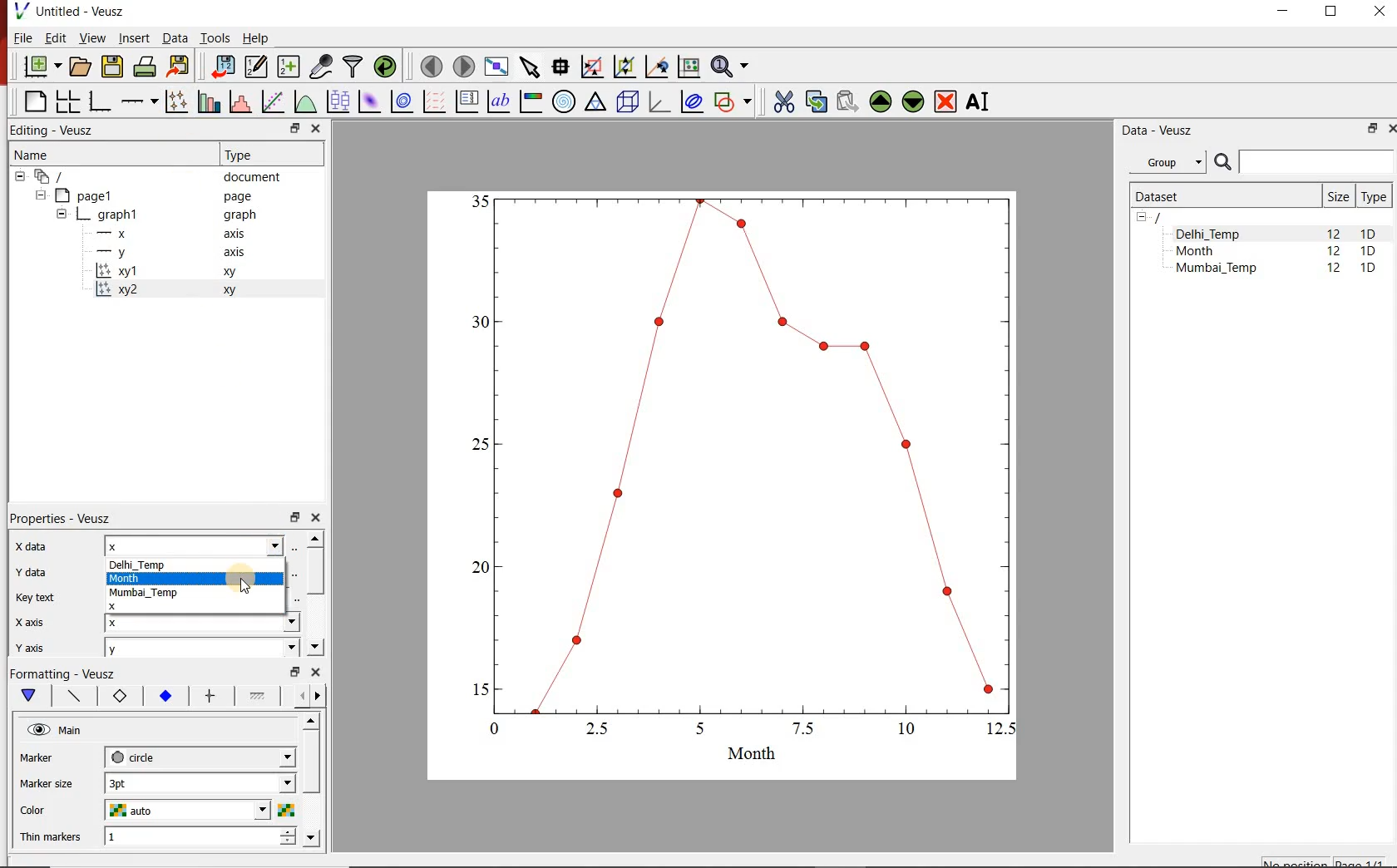 Image resolution: width=1397 pixels, height=868 pixels. I want to click on File, so click(22, 37).